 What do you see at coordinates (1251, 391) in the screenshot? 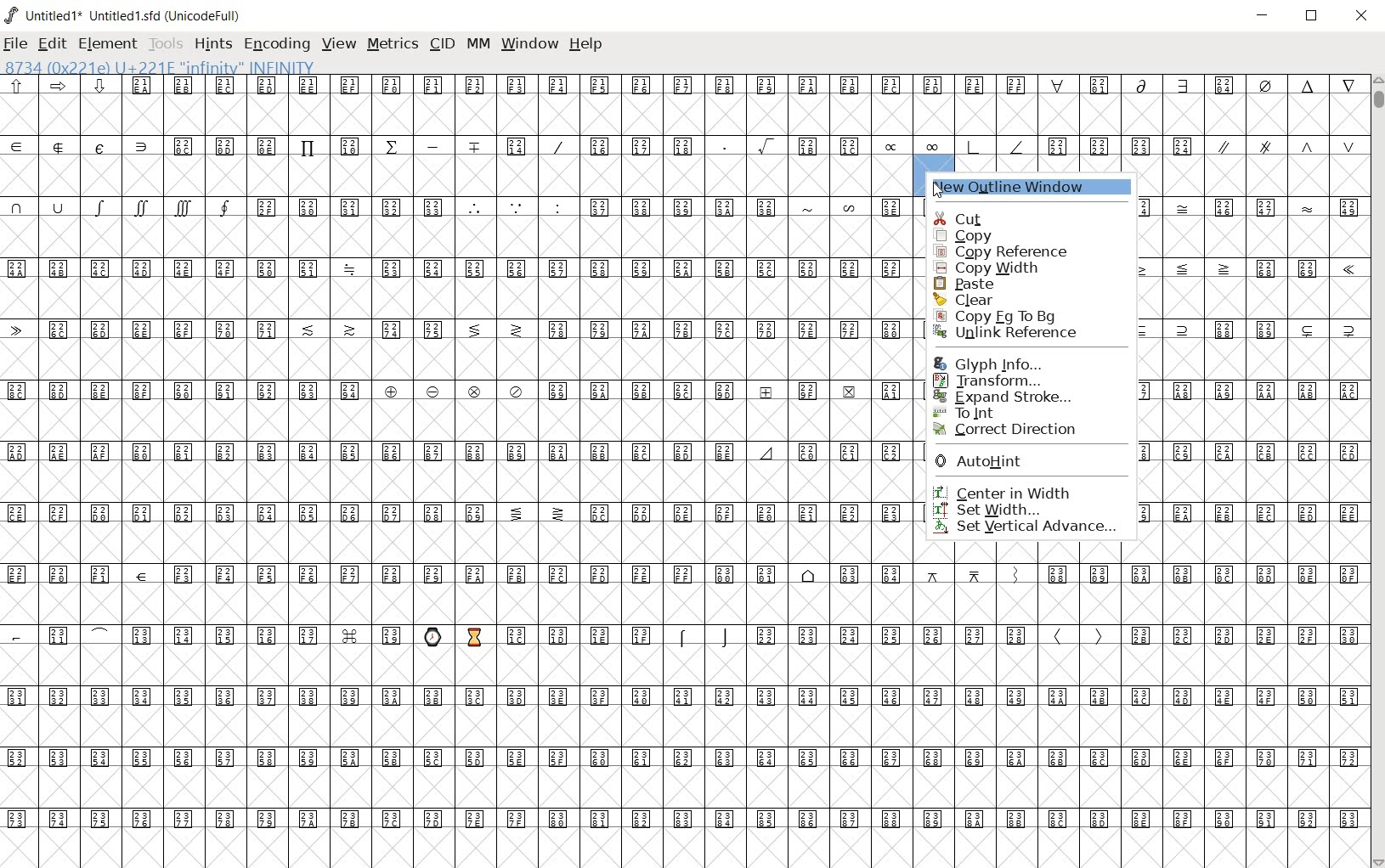
I see `Unicode code points` at bounding box center [1251, 391].